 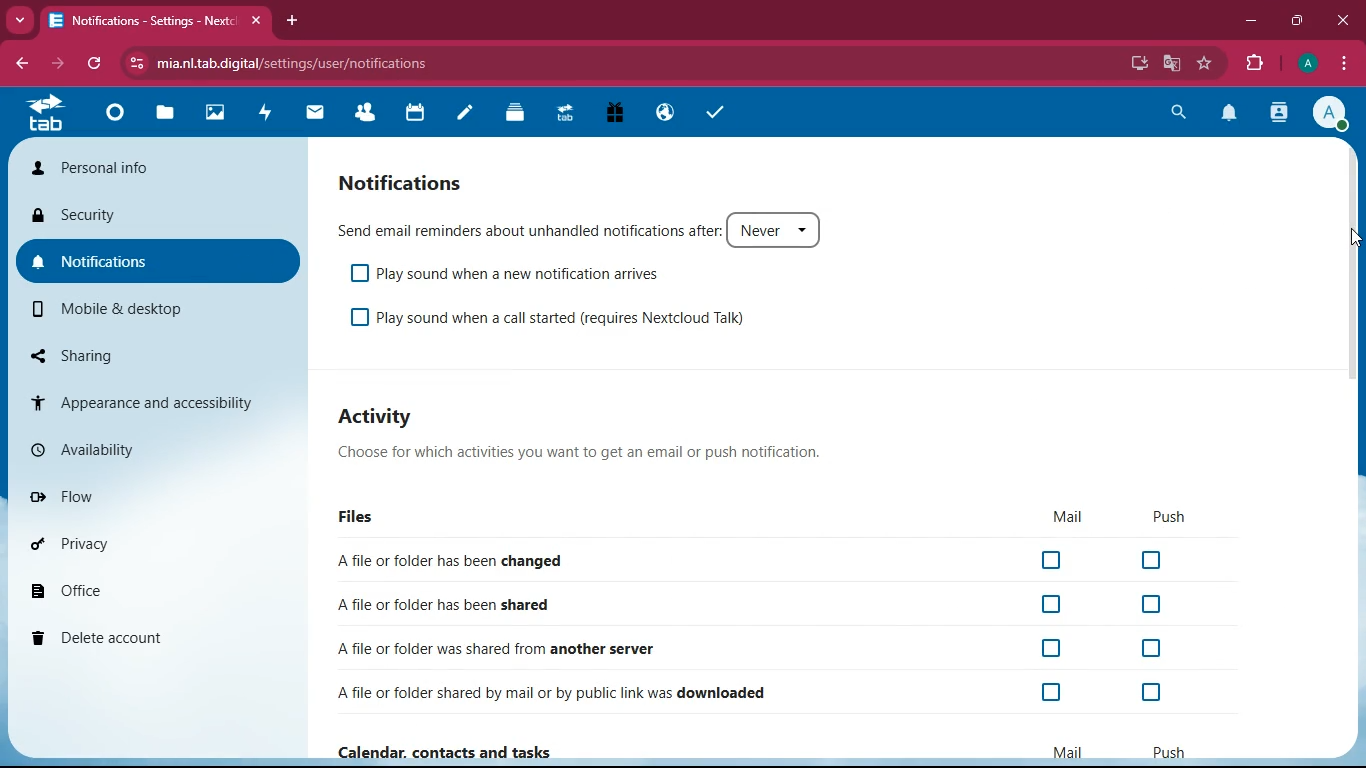 What do you see at coordinates (666, 114) in the screenshot?
I see `Email Hosting` at bounding box center [666, 114].